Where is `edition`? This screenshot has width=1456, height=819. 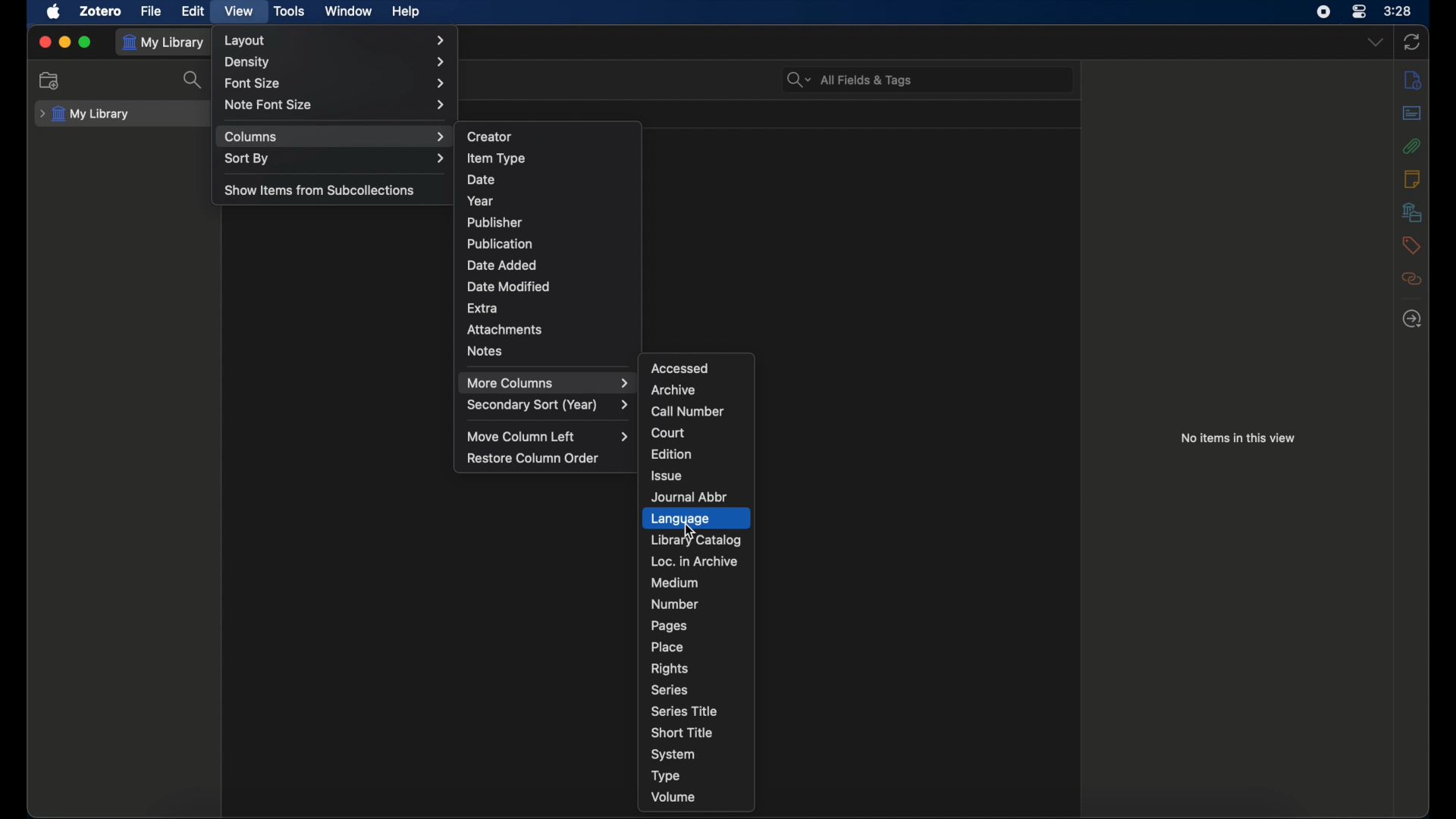 edition is located at coordinates (673, 453).